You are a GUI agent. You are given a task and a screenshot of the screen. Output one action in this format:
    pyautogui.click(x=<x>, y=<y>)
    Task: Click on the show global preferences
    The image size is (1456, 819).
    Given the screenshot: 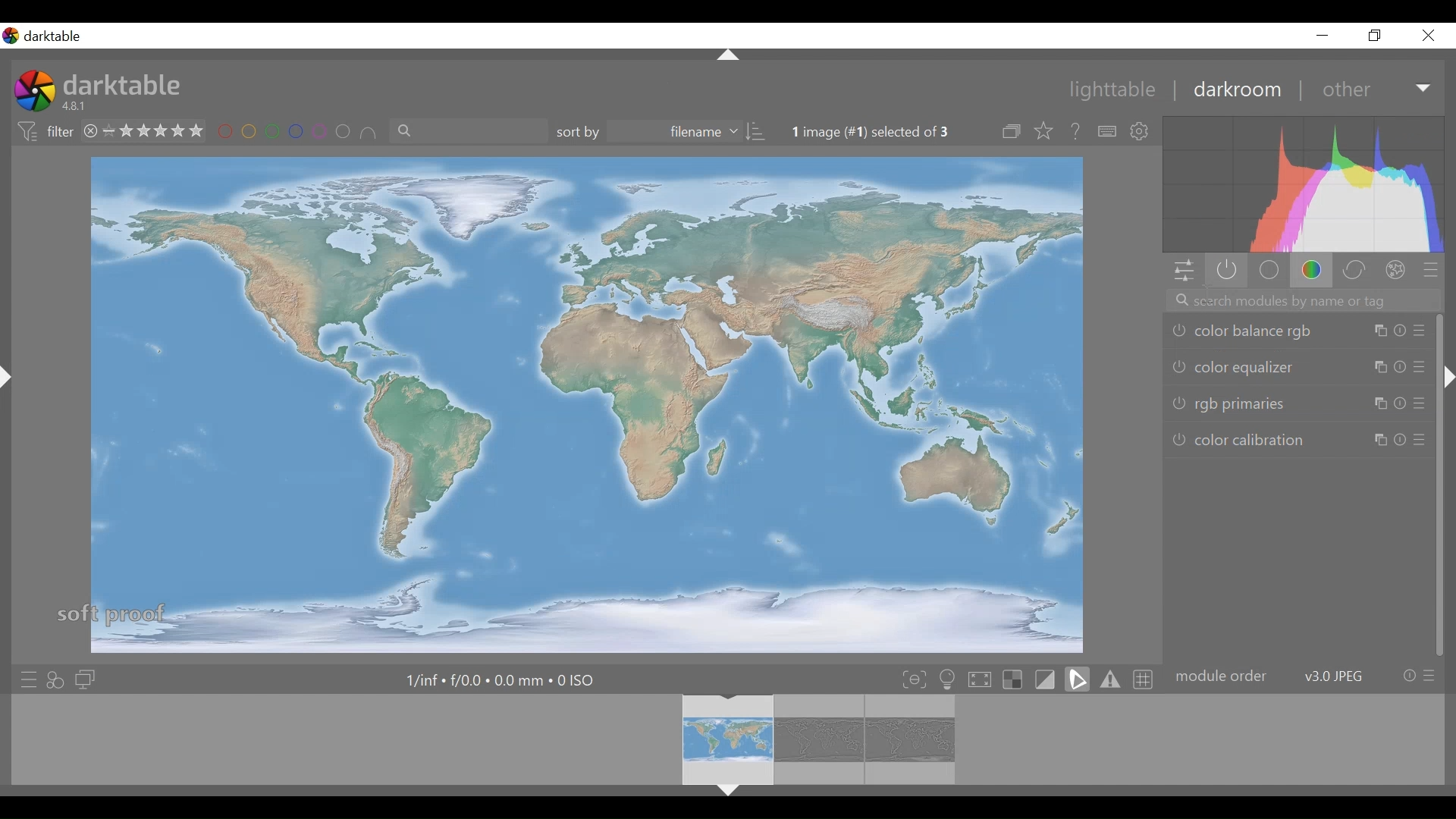 What is the action you would take?
    pyautogui.click(x=1144, y=131)
    